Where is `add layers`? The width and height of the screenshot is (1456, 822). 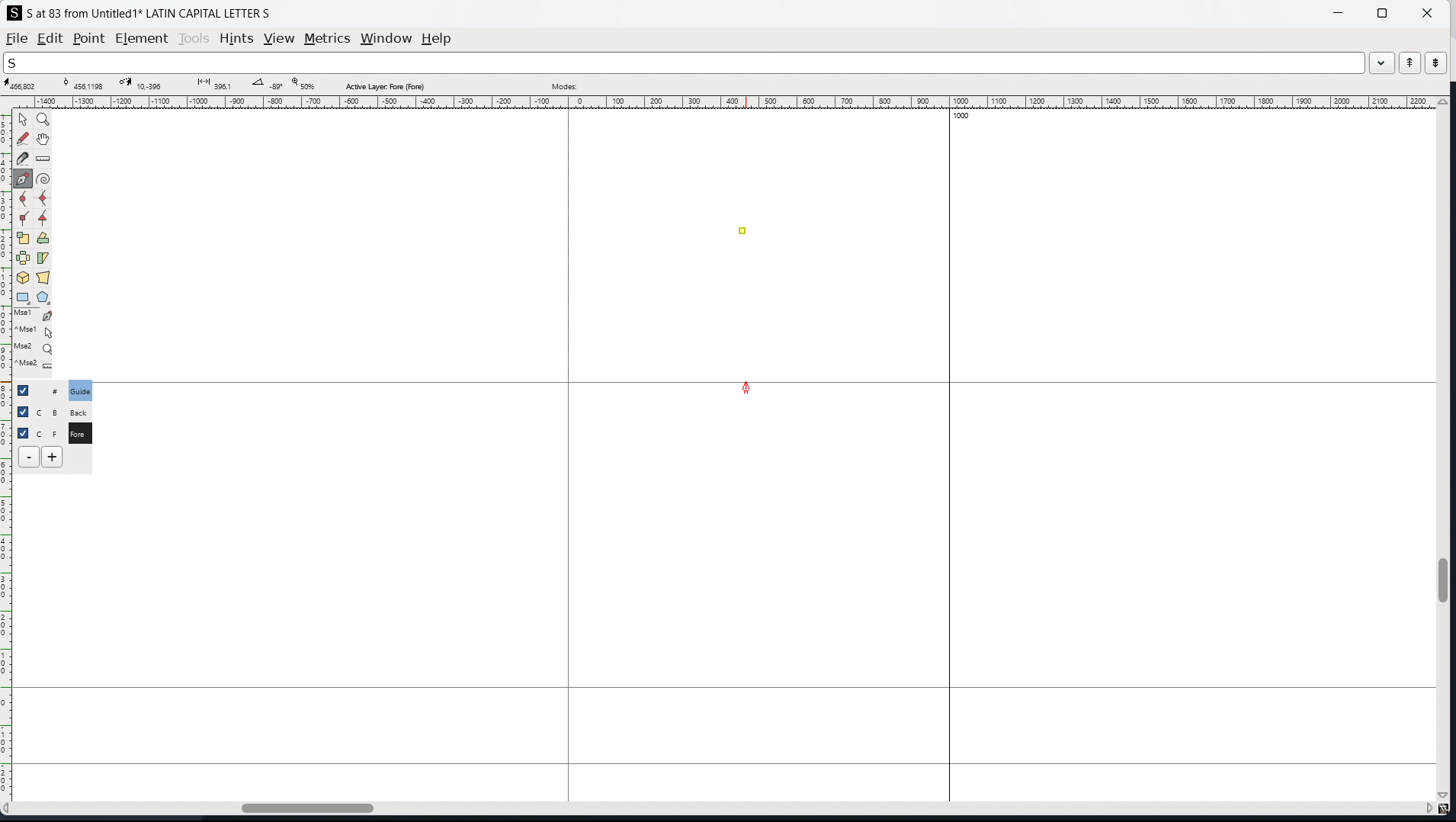 add layers is located at coordinates (52, 457).